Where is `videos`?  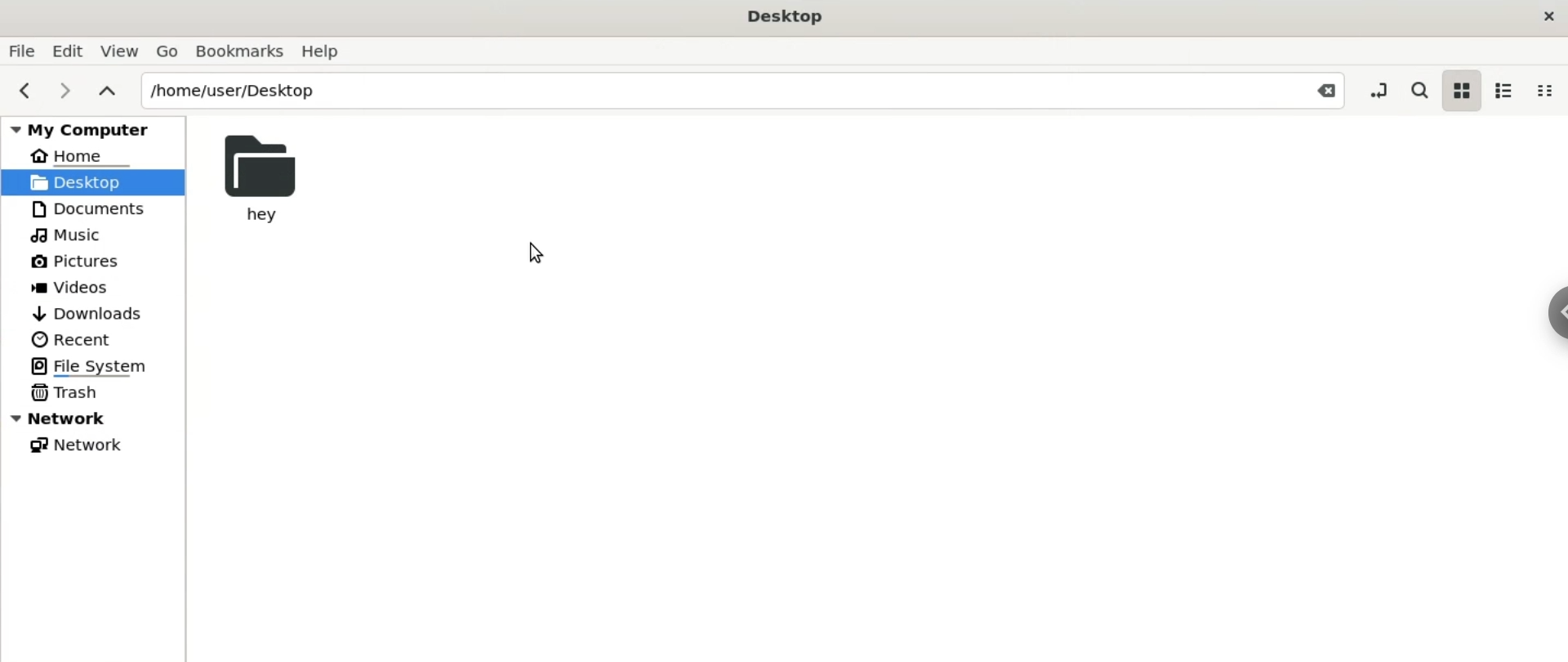 videos is located at coordinates (82, 287).